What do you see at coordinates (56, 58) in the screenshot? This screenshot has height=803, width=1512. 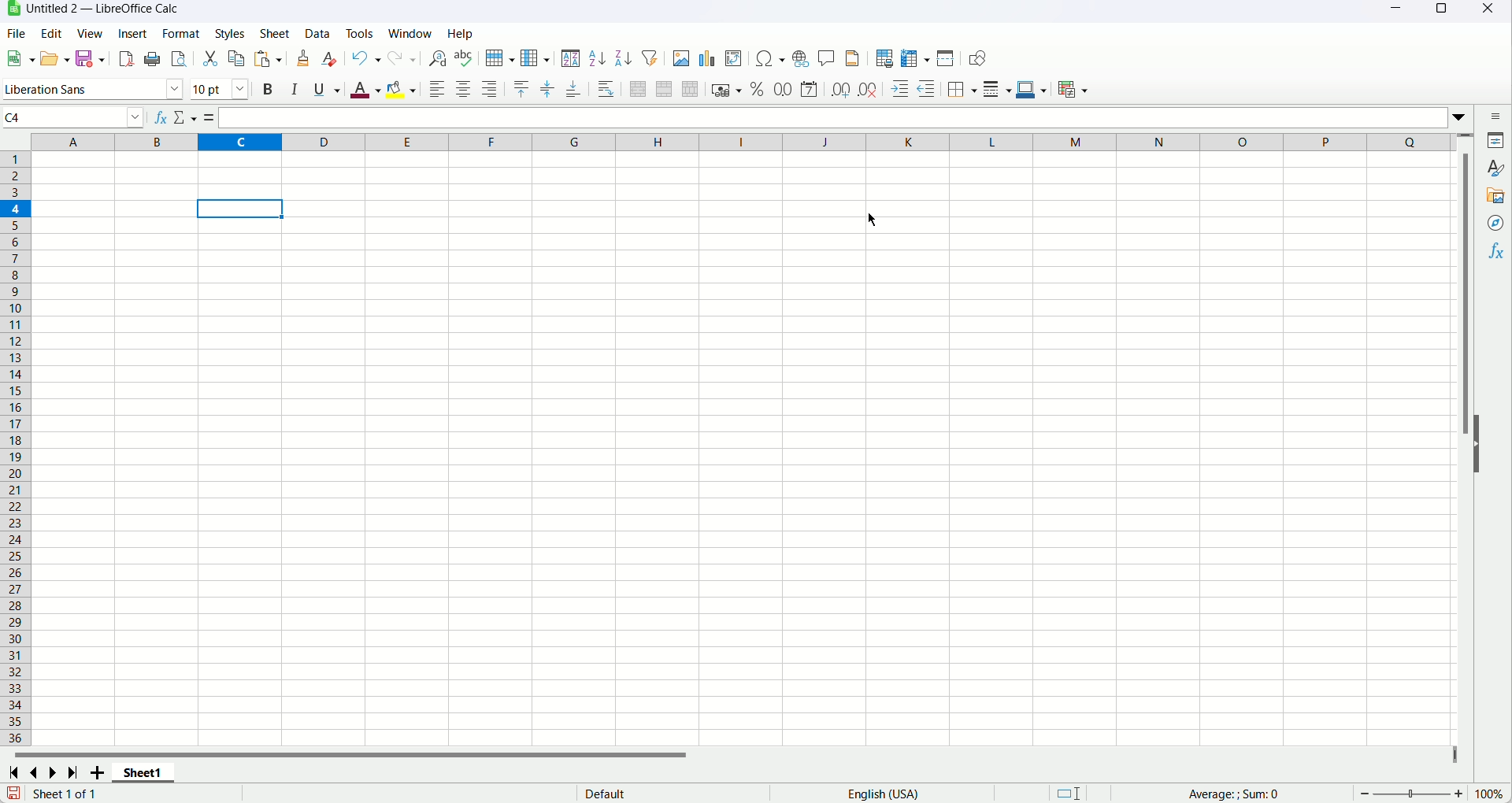 I see `Open` at bounding box center [56, 58].